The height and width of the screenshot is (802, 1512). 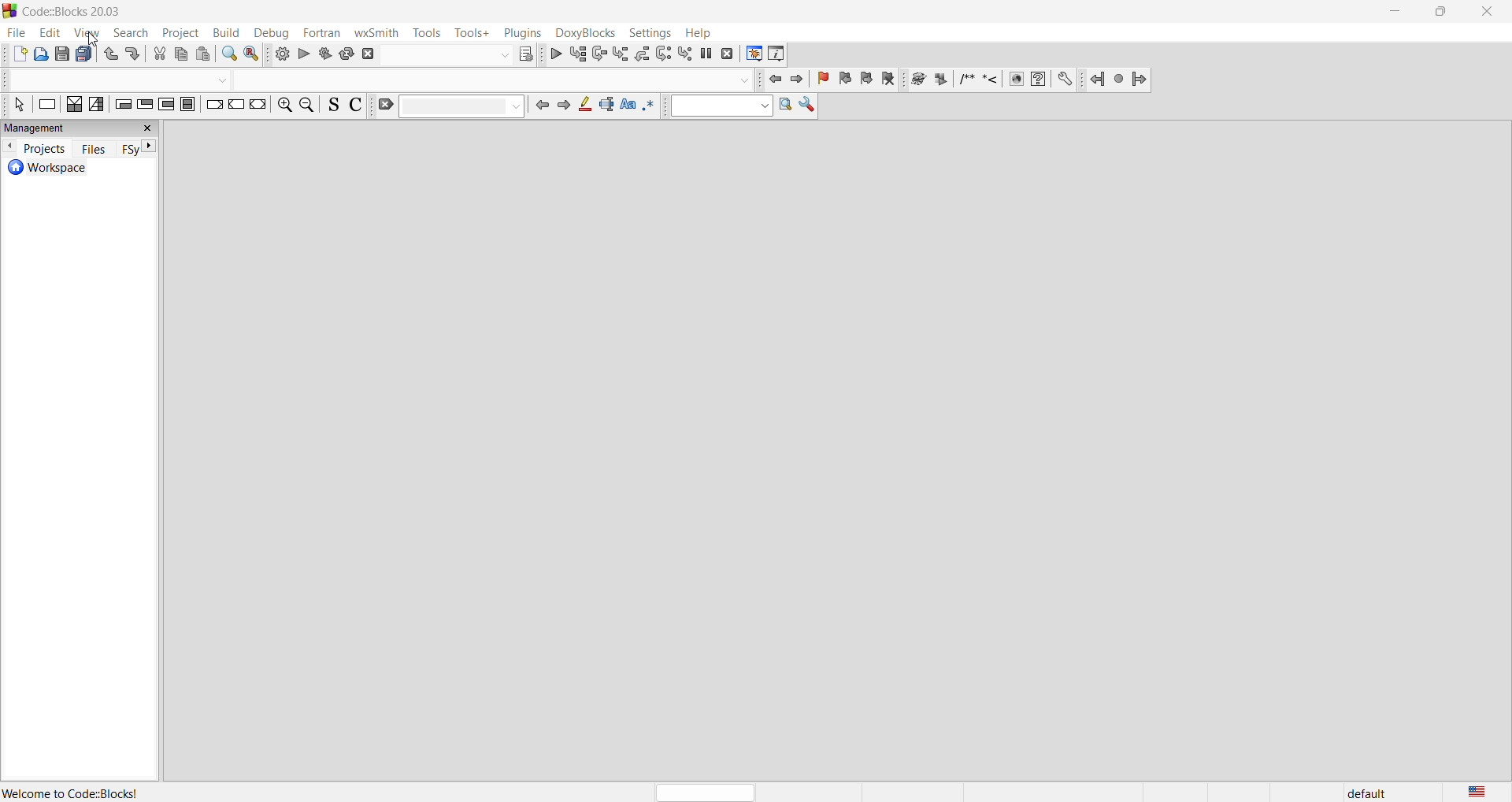 What do you see at coordinates (16, 32) in the screenshot?
I see `file` at bounding box center [16, 32].